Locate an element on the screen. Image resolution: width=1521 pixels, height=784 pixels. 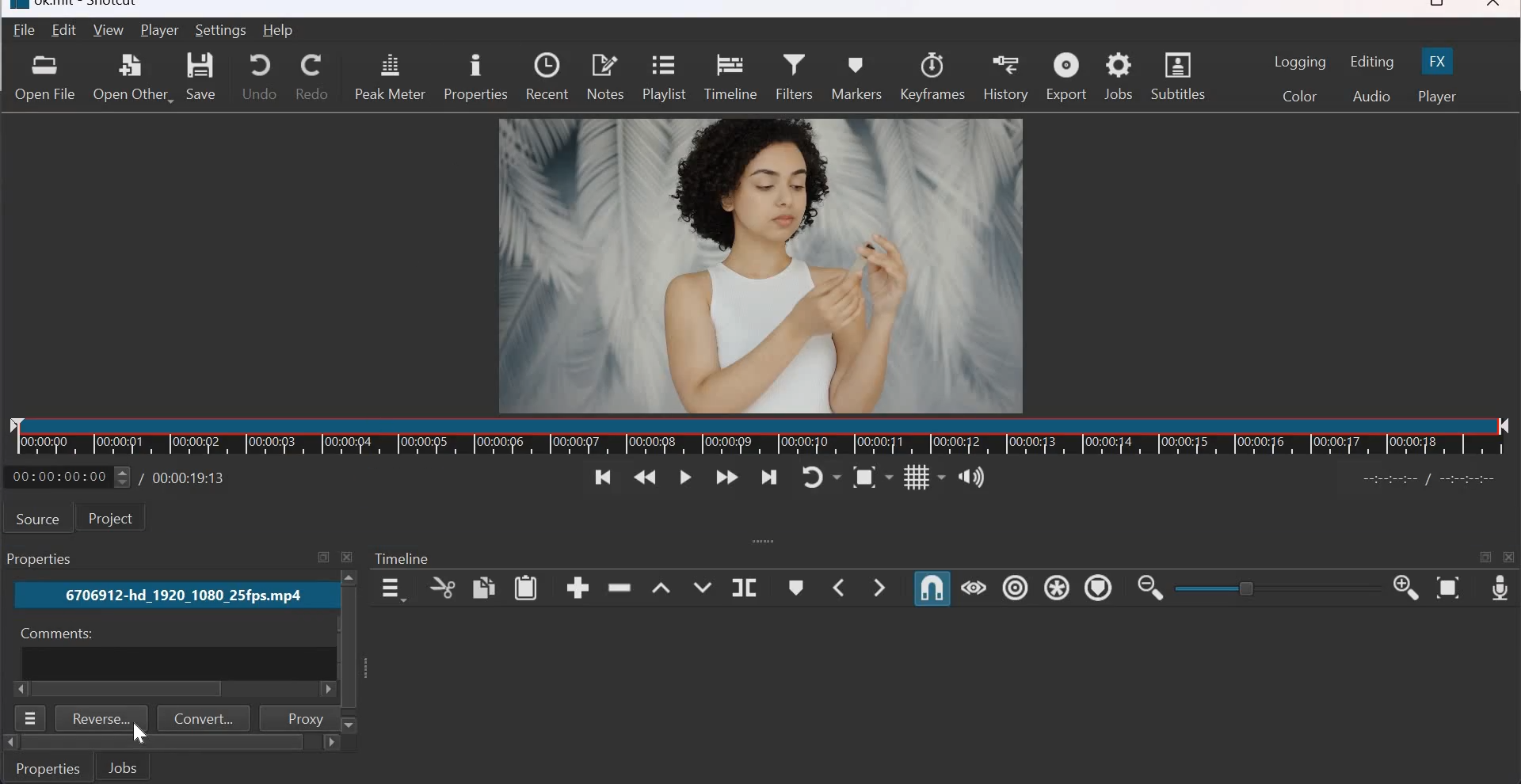
Properties is located at coordinates (49, 767).